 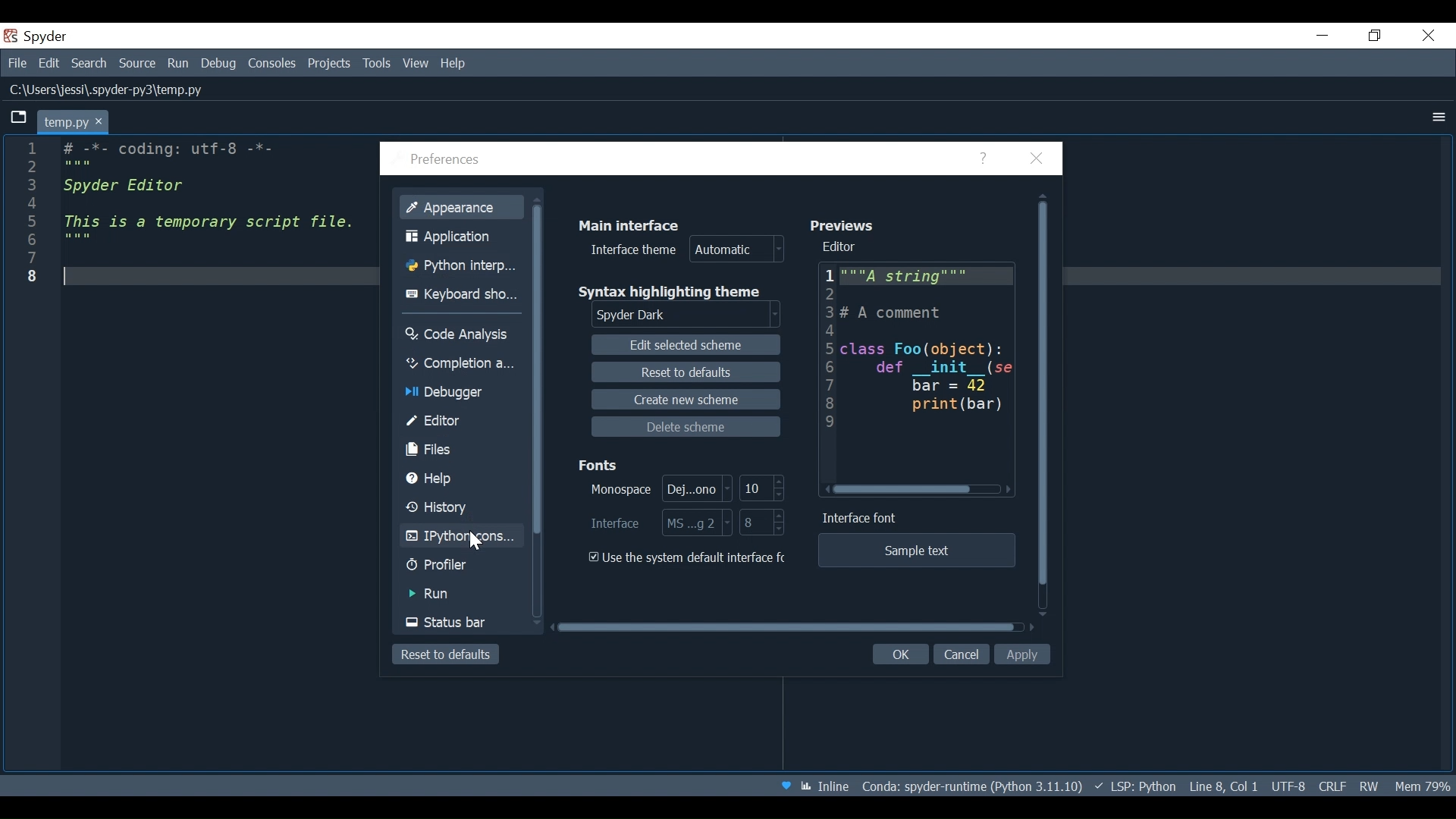 I want to click on File EQL Status, so click(x=1333, y=786).